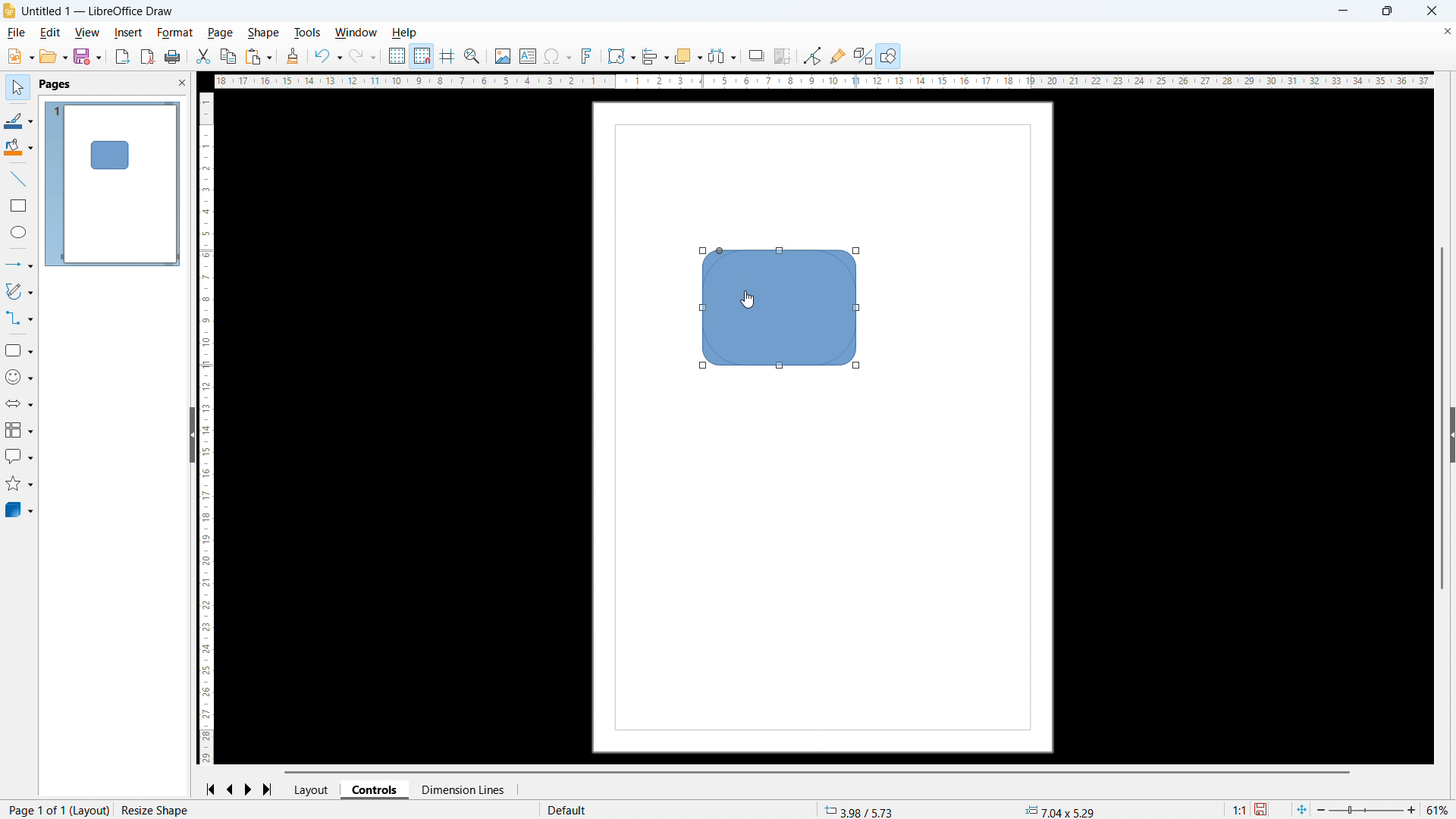  What do you see at coordinates (888, 55) in the screenshot?
I see `show draw functions` at bounding box center [888, 55].